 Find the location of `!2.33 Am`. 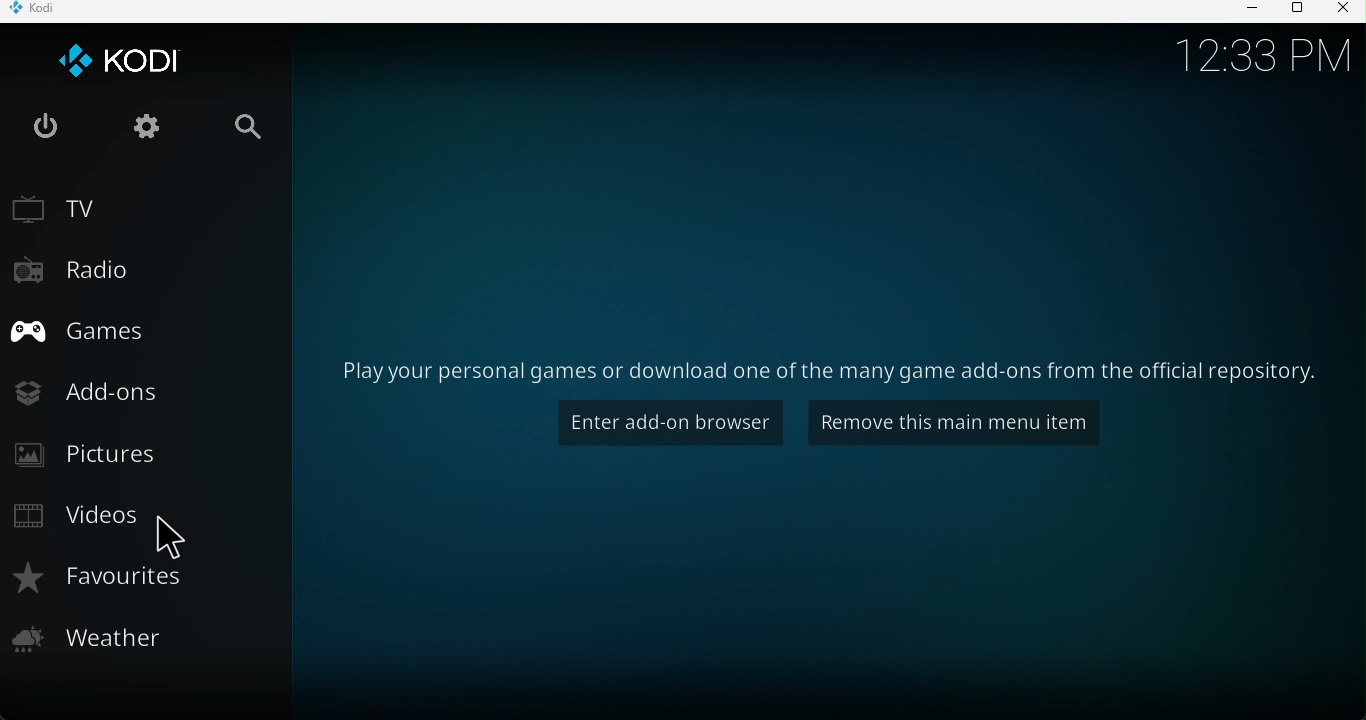

!2.33 Am is located at coordinates (1266, 60).